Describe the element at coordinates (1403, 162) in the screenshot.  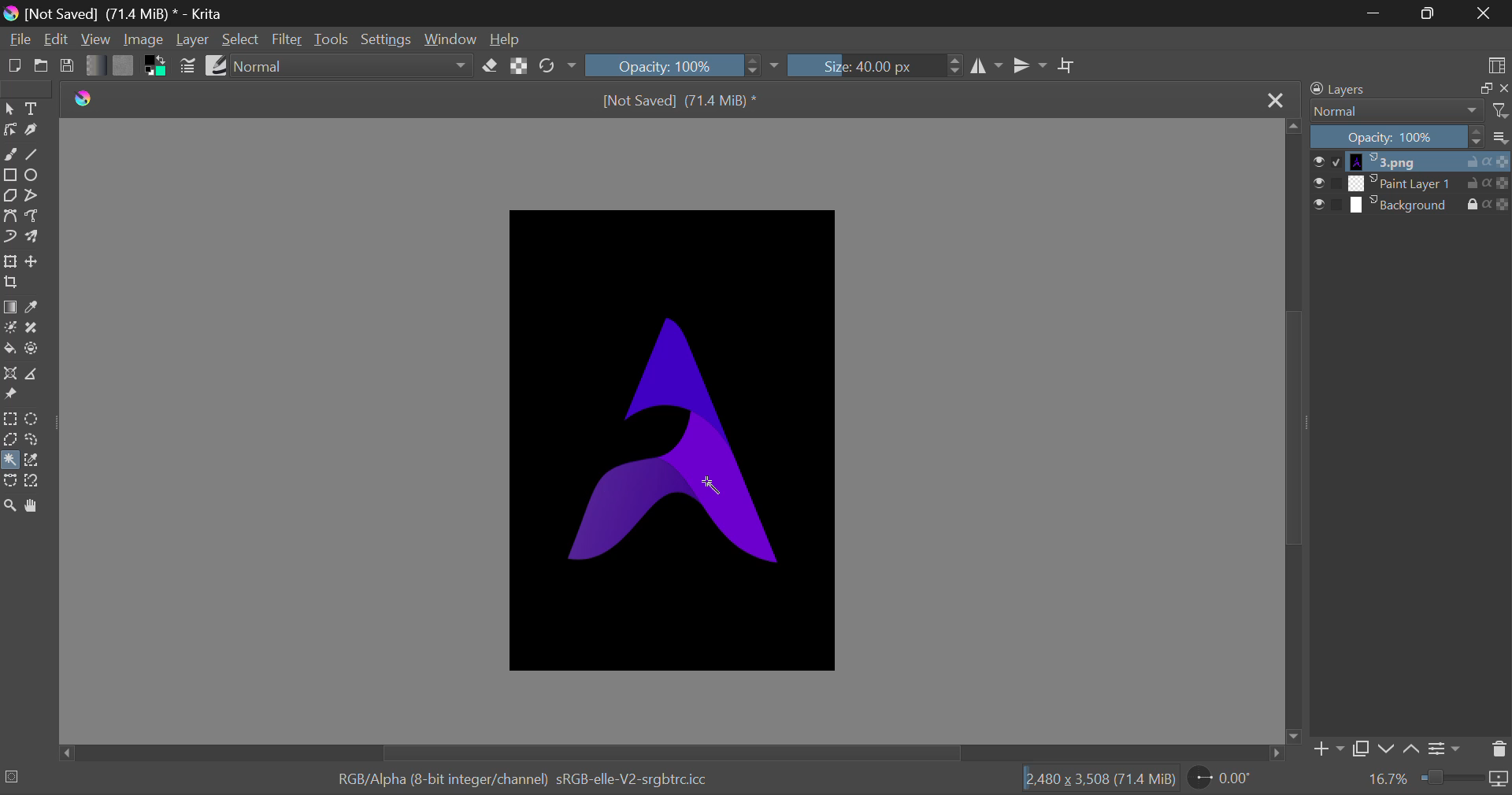
I see `layer 1` at that location.